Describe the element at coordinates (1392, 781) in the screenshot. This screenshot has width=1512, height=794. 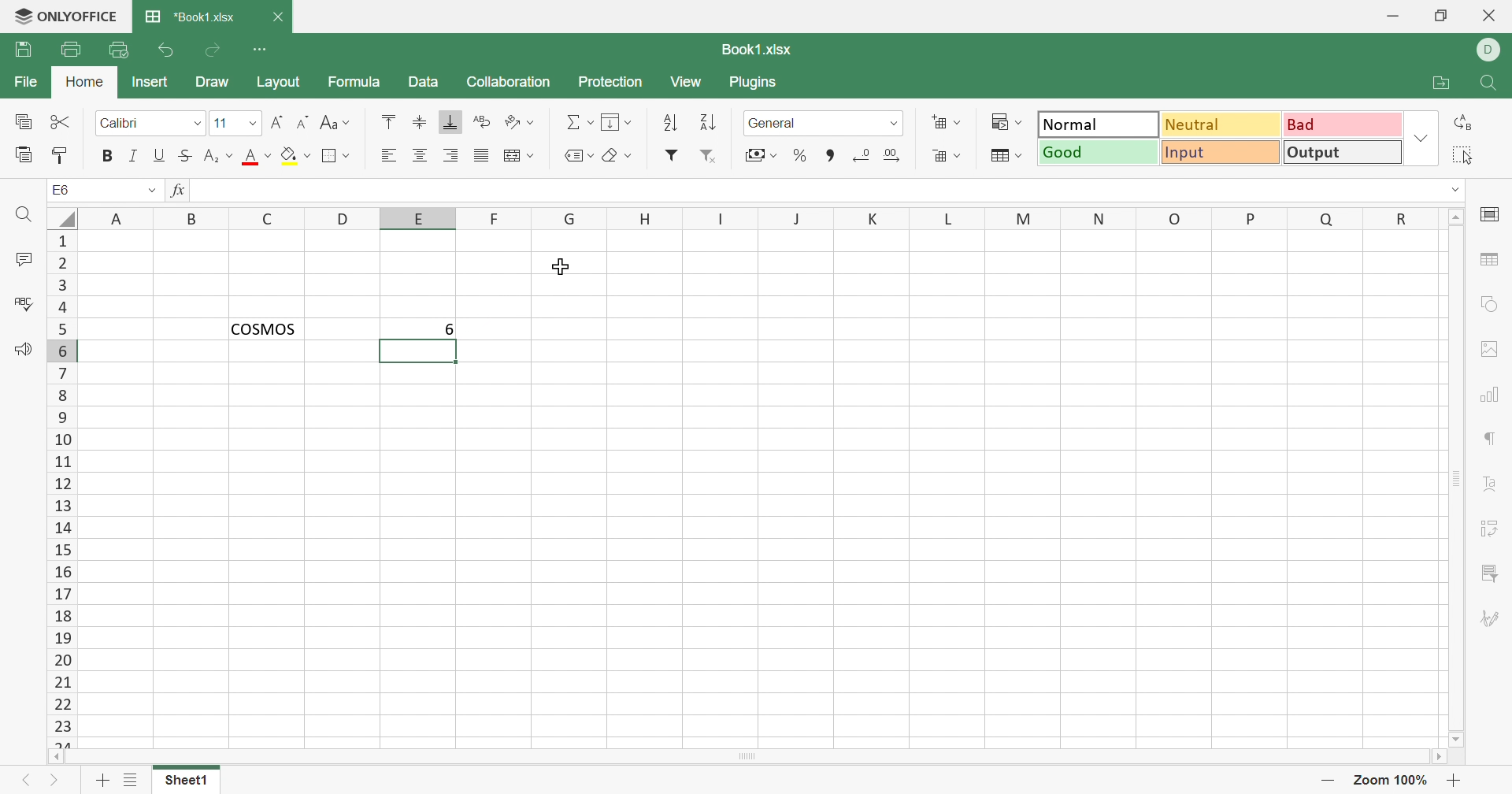
I see `Zoom 100%` at that location.